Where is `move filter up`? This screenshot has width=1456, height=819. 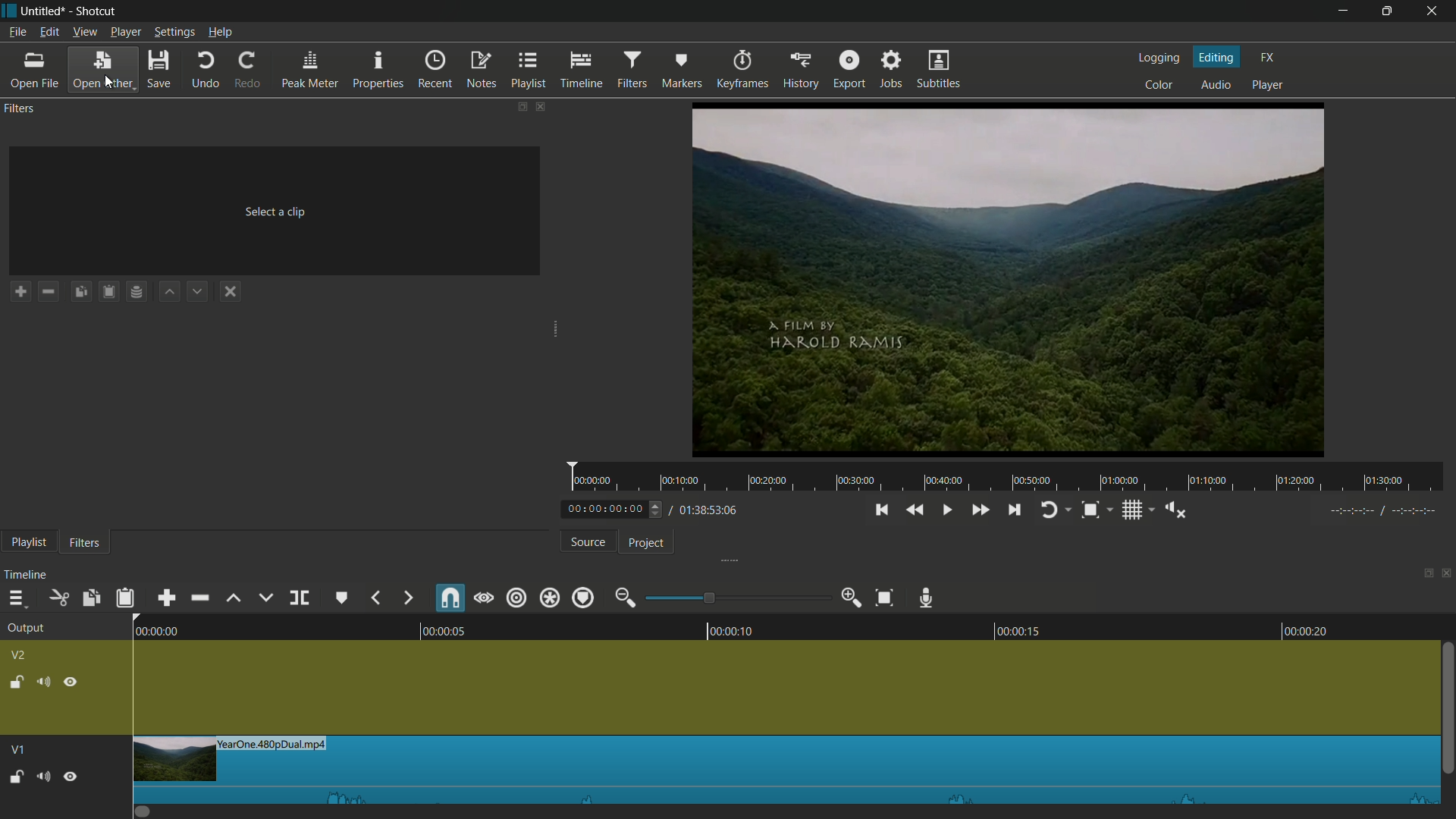
move filter up is located at coordinates (169, 293).